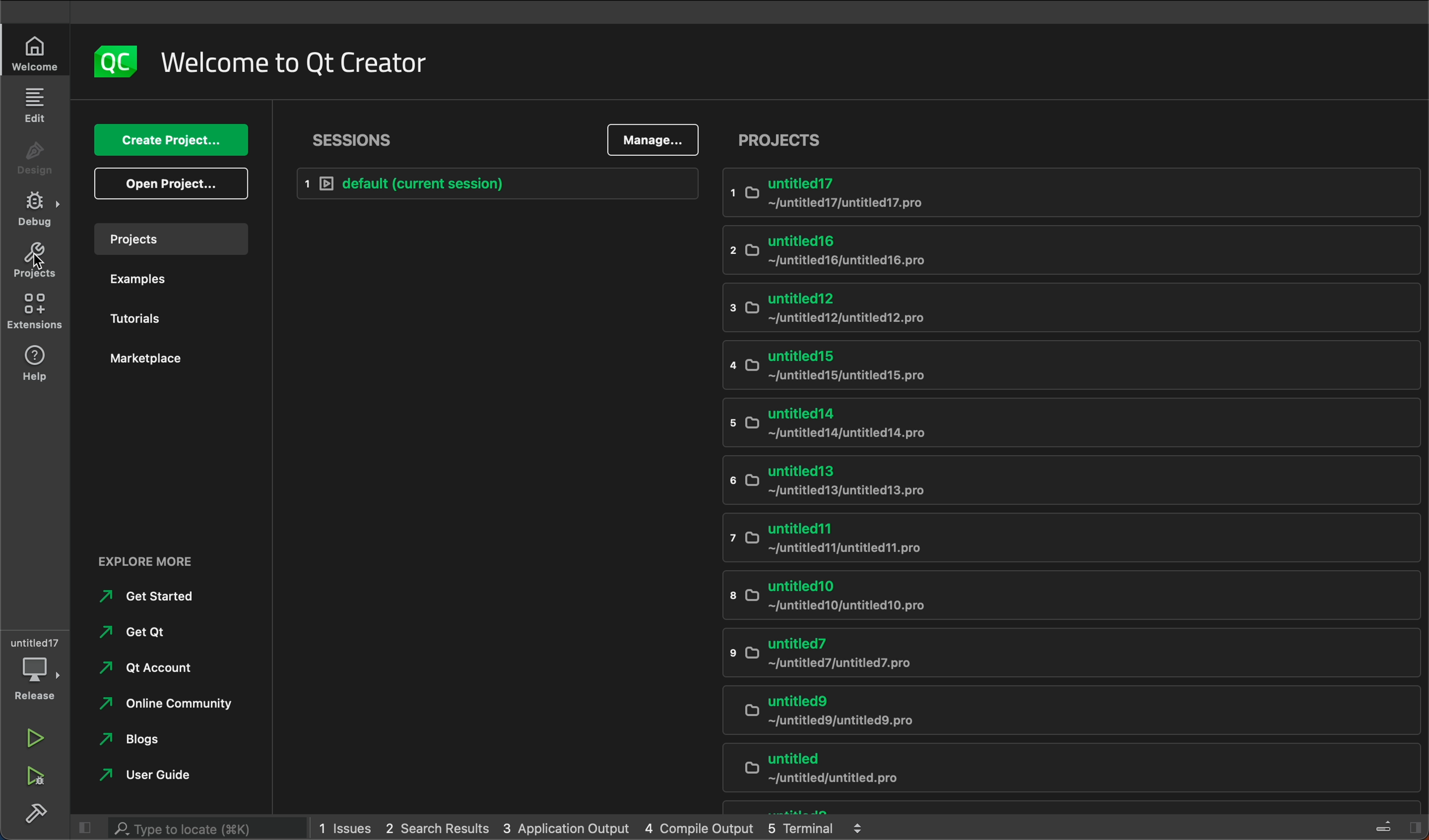 This screenshot has height=840, width=1429. Describe the element at coordinates (1059, 711) in the screenshot. I see `untitled9` at that location.